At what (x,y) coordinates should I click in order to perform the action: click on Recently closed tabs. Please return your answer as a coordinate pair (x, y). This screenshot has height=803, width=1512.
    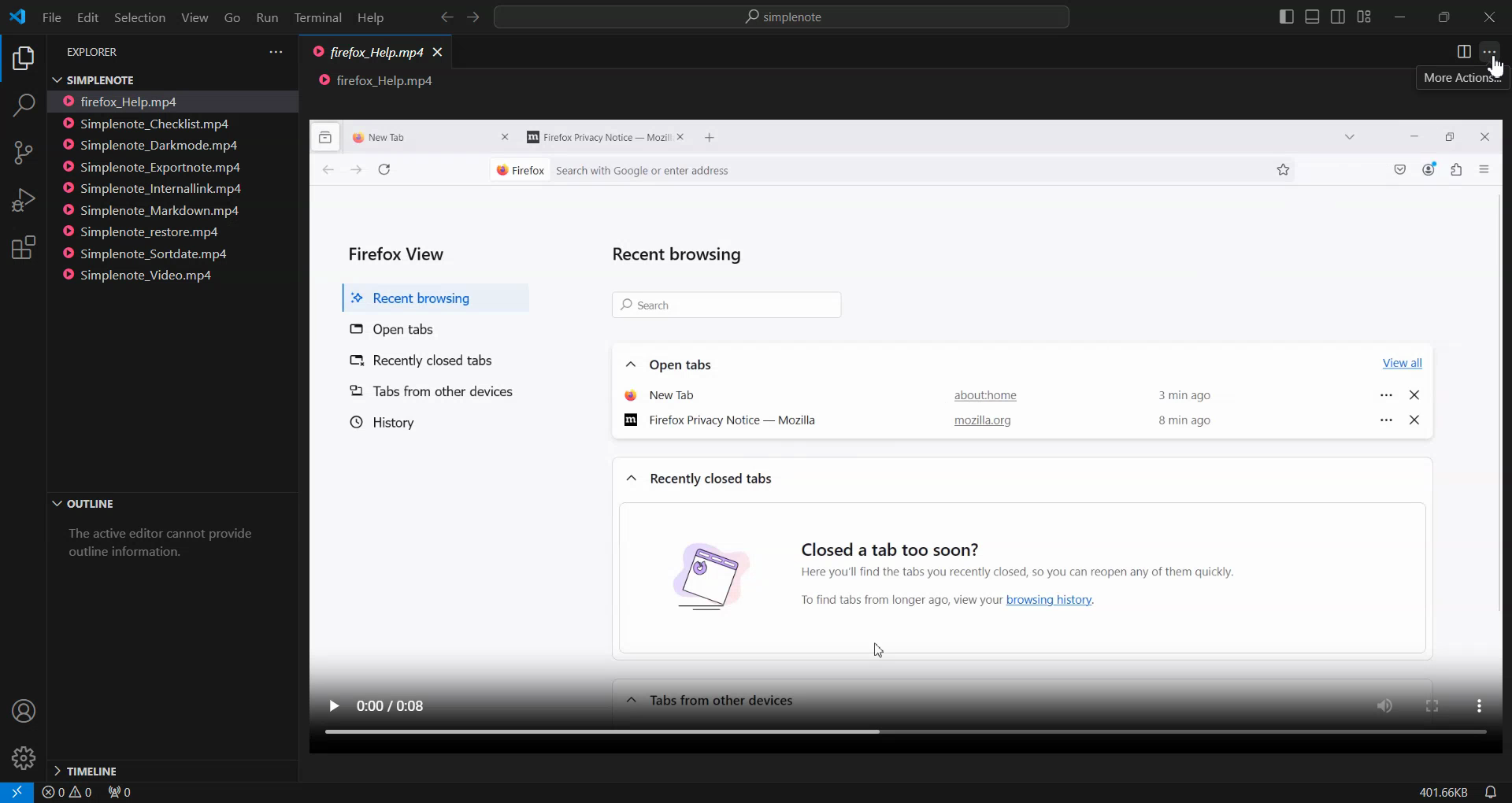
    Looking at the image, I should click on (442, 359).